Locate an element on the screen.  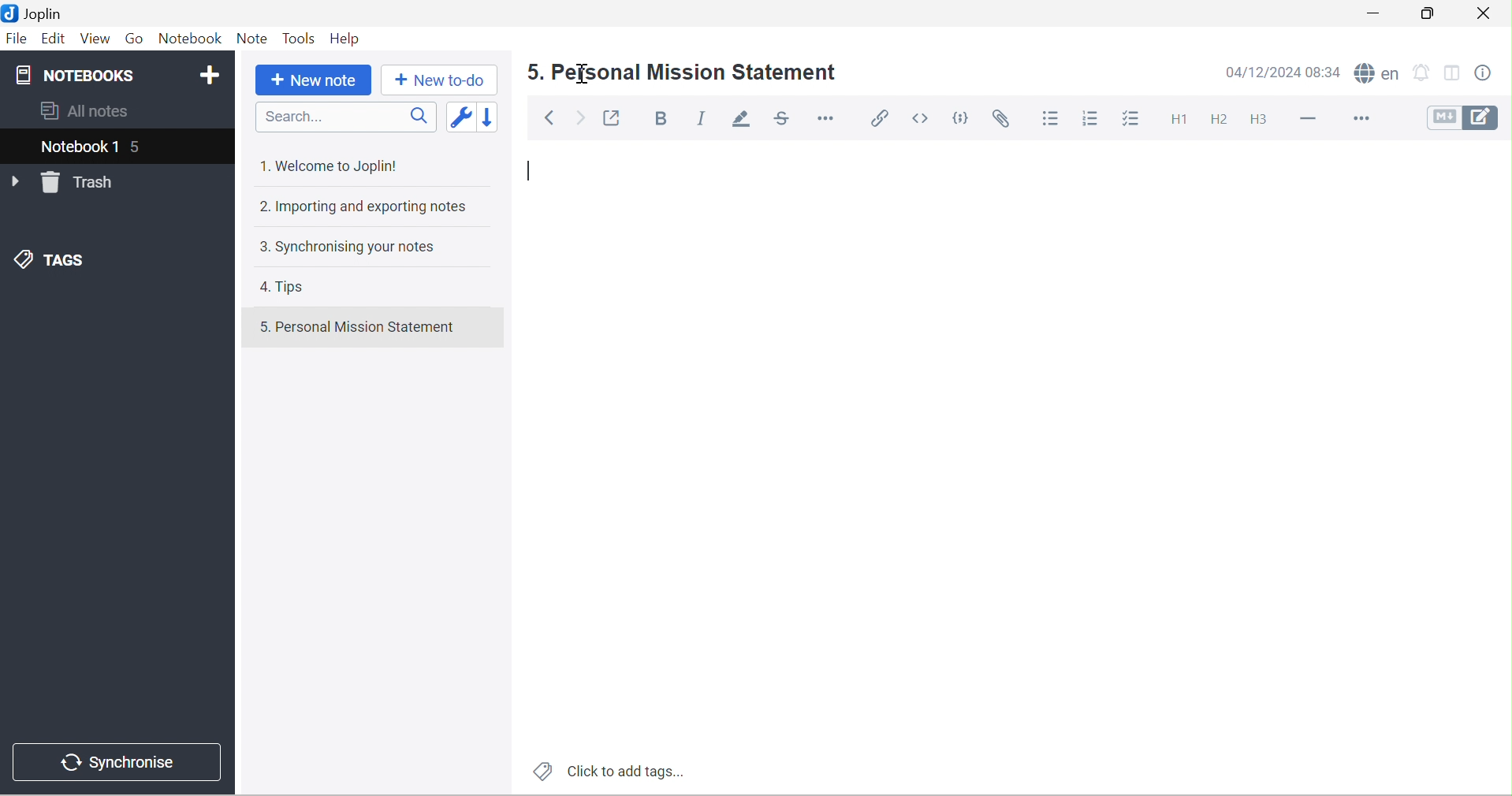
Italic is located at coordinates (705, 117).